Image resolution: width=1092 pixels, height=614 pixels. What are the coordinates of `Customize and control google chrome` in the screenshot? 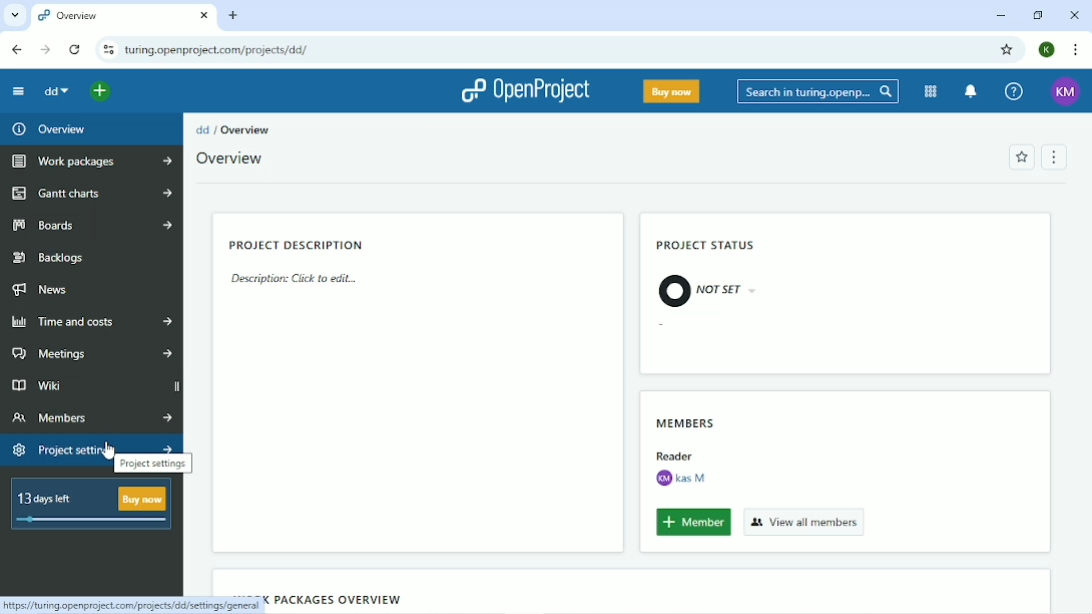 It's located at (1076, 50).